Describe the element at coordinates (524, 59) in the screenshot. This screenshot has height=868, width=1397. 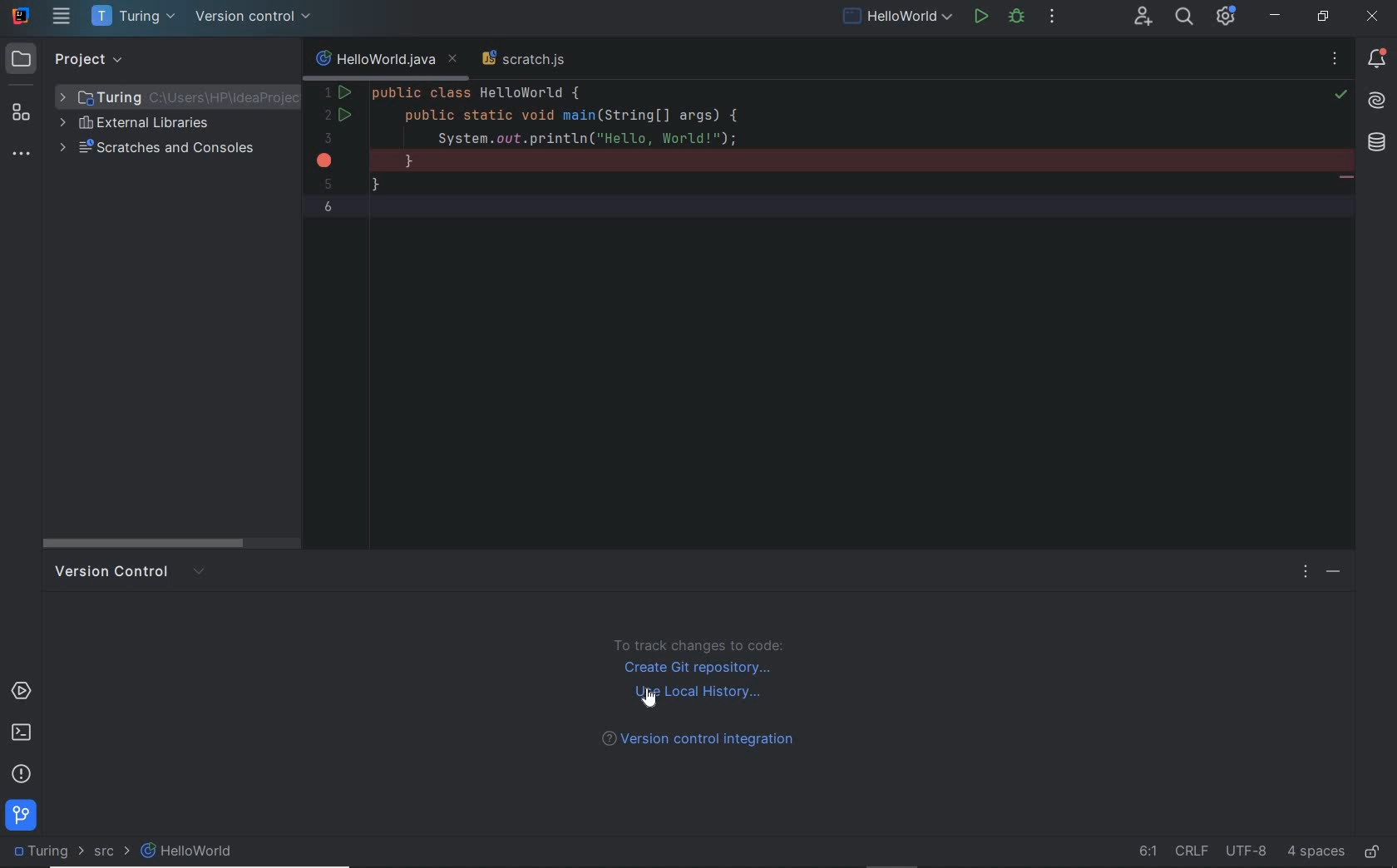
I see `scratch file` at that location.